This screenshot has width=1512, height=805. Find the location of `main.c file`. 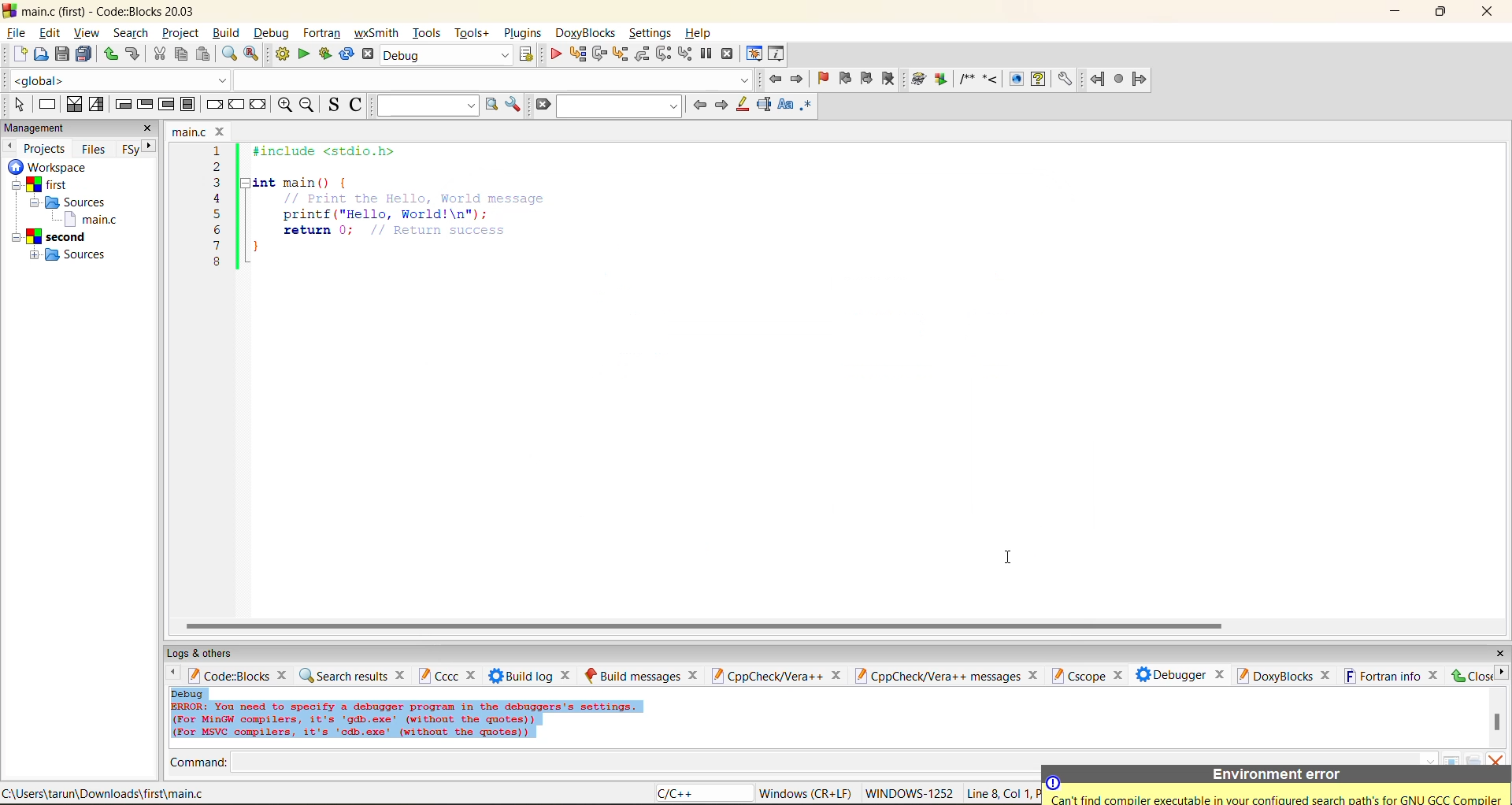

main.c file is located at coordinates (91, 218).